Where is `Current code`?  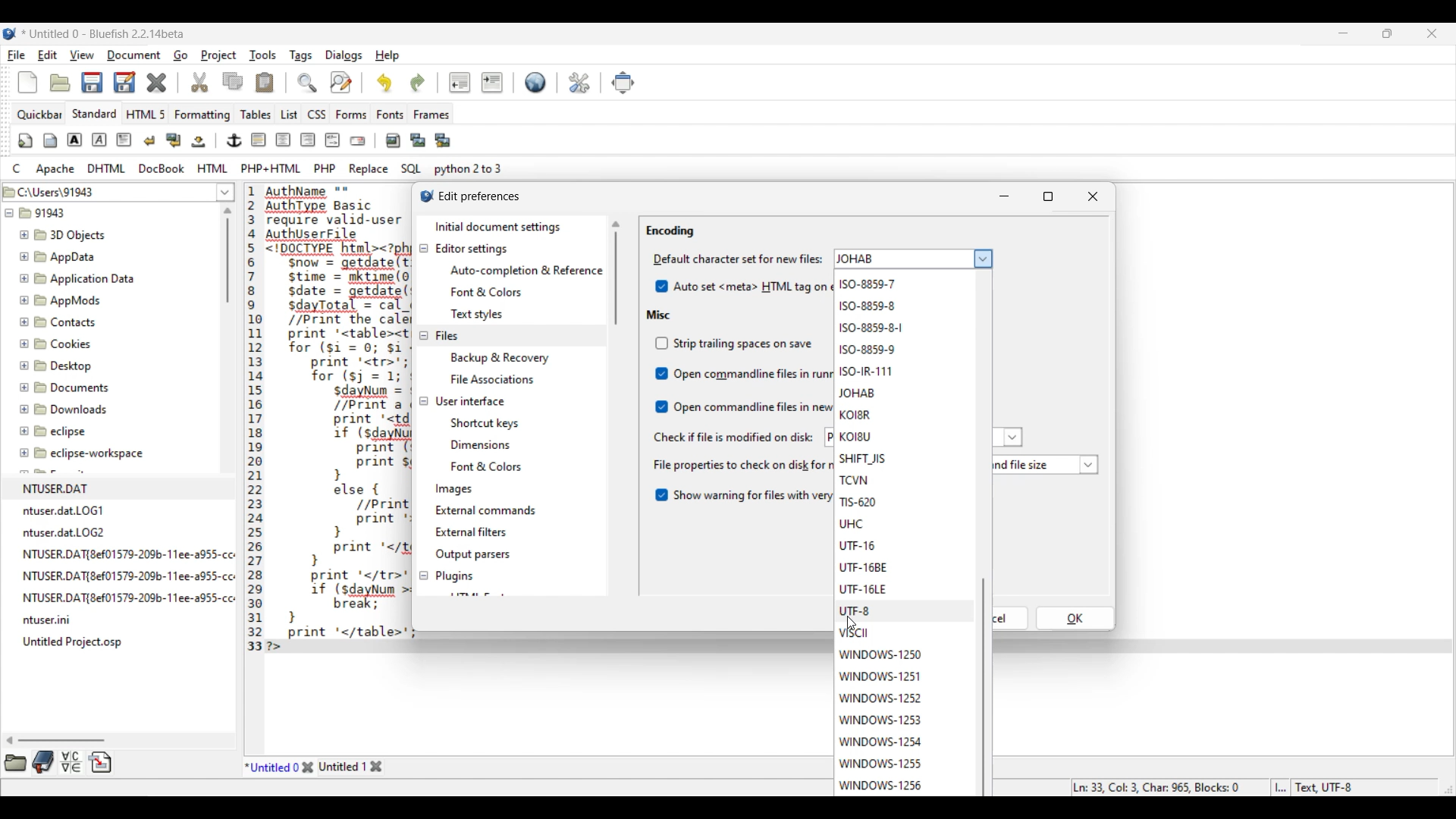 Current code is located at coordinates (328, 419).